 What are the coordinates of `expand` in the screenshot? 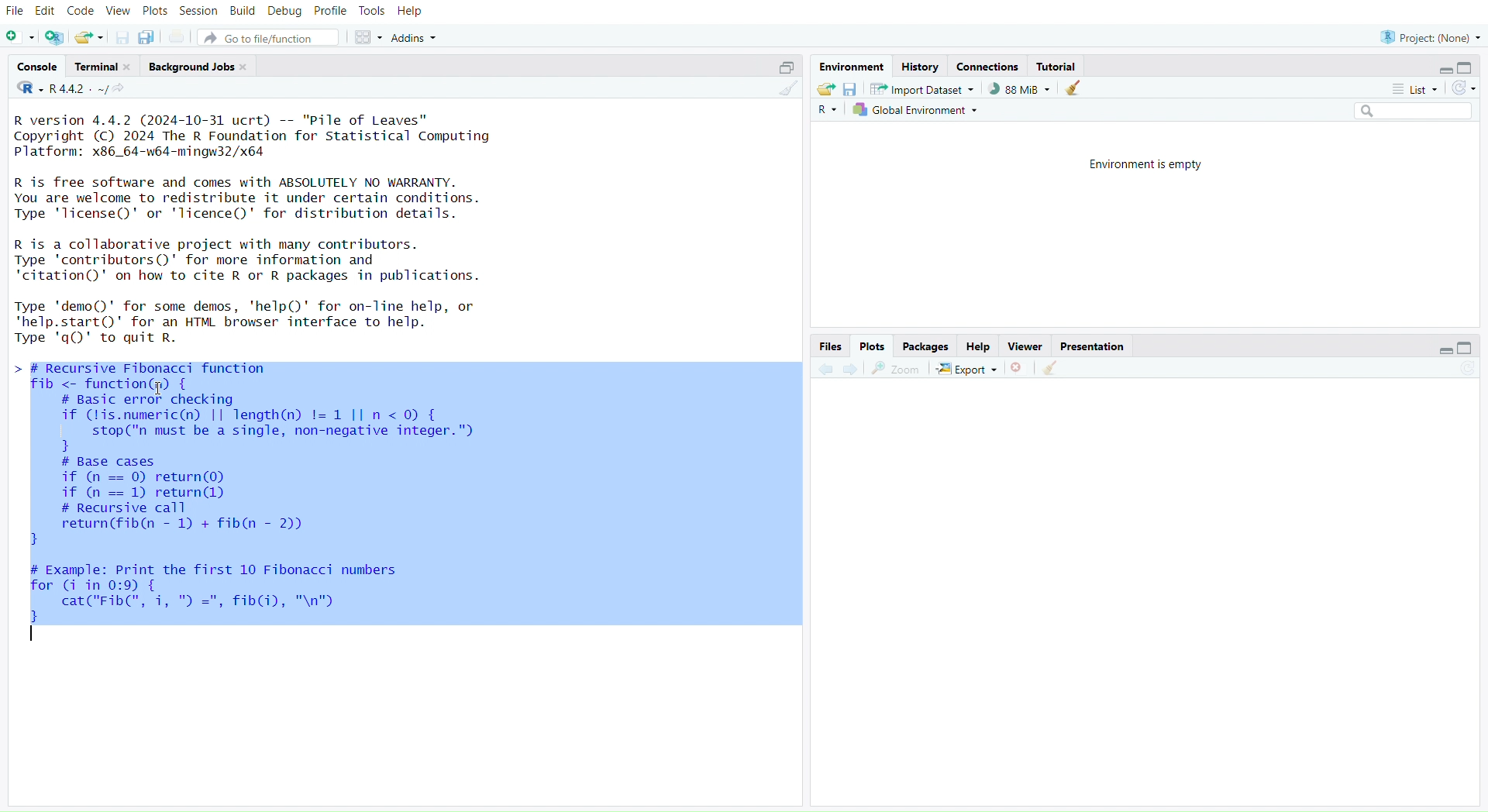 It's located at (1440, 351).